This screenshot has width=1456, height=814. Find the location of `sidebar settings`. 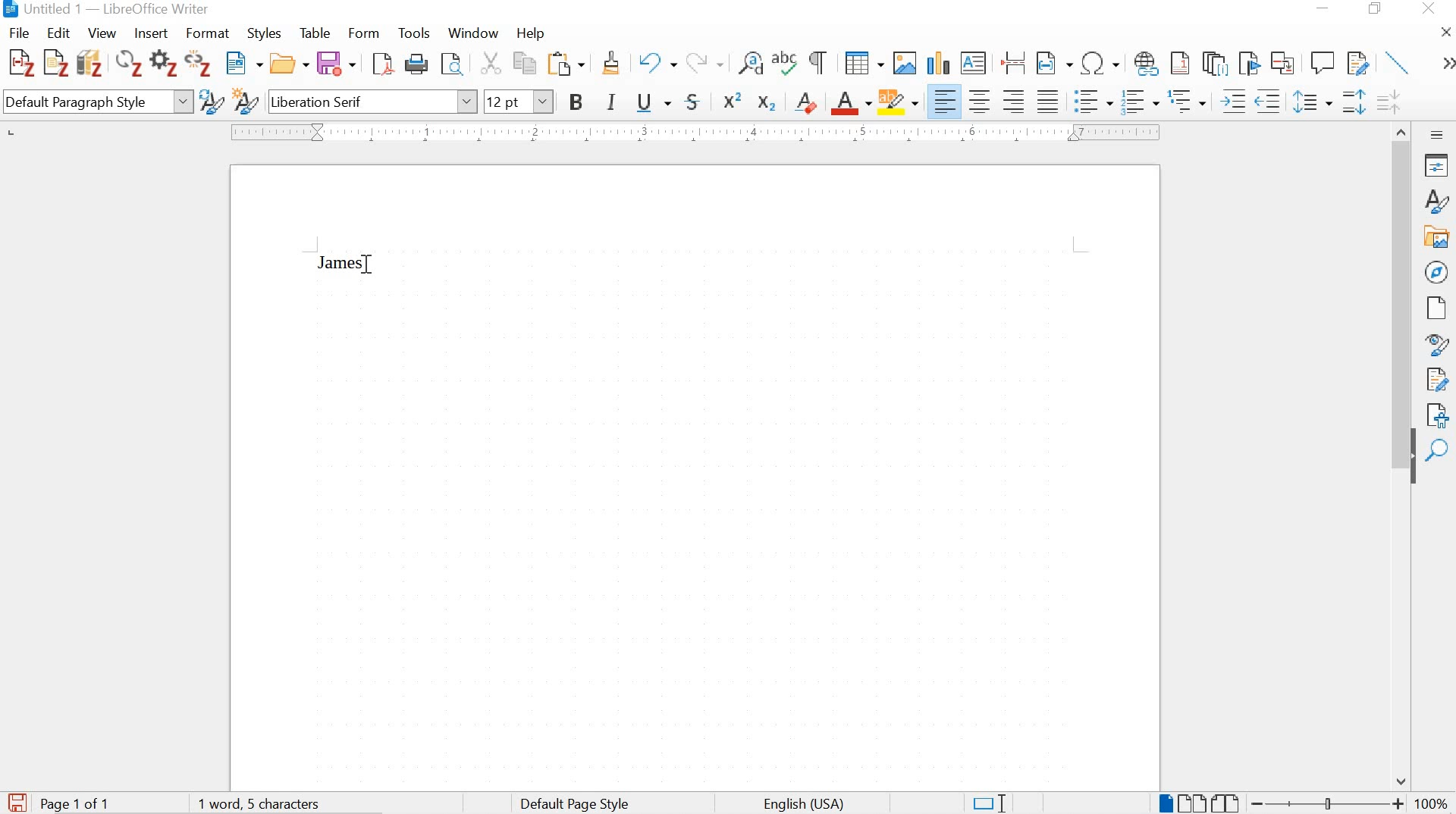

sidebar settings is located at coordinates (1438, 134).